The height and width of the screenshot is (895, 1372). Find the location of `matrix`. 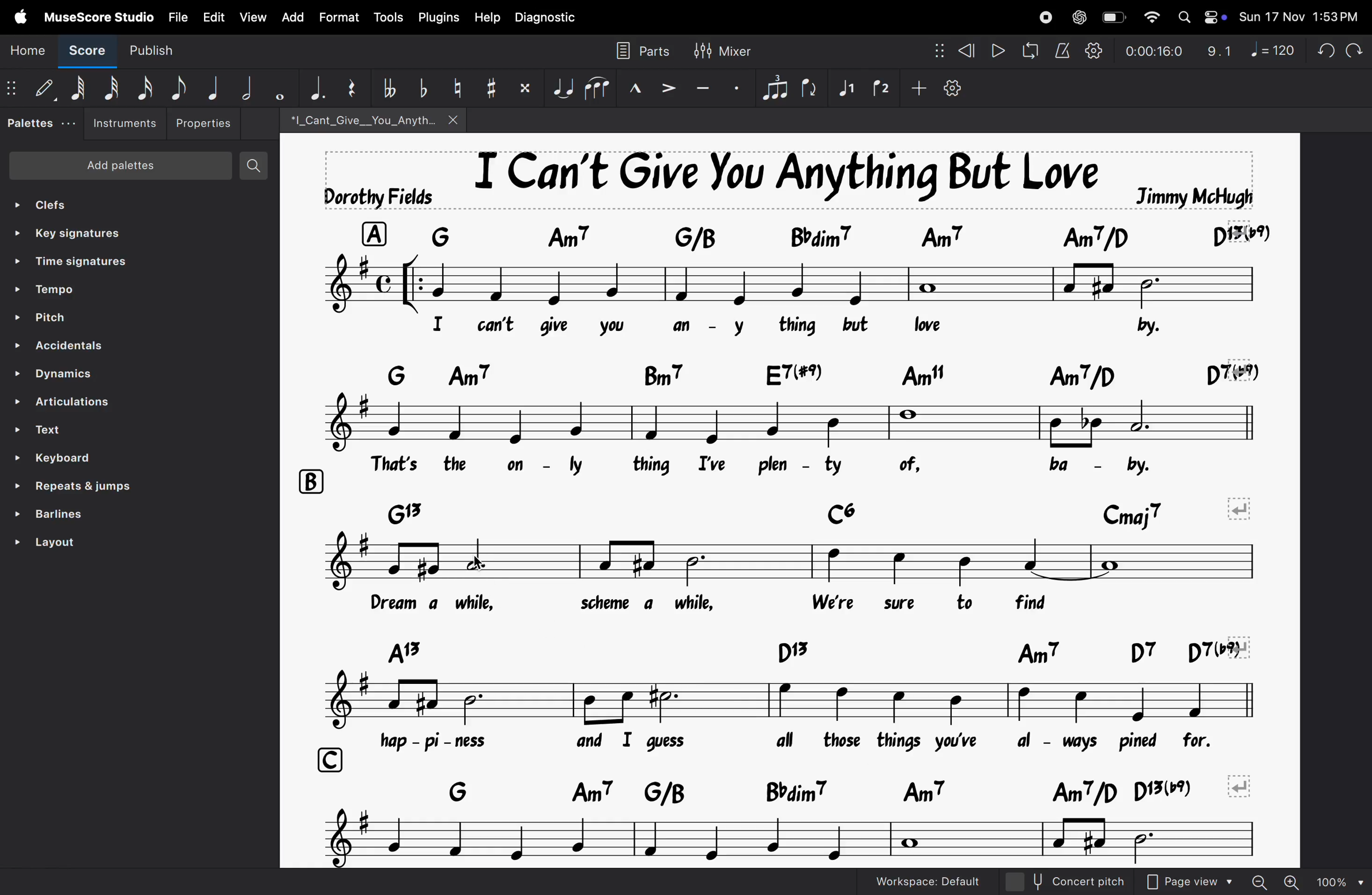

matrix is located at coordinates (12, 89).